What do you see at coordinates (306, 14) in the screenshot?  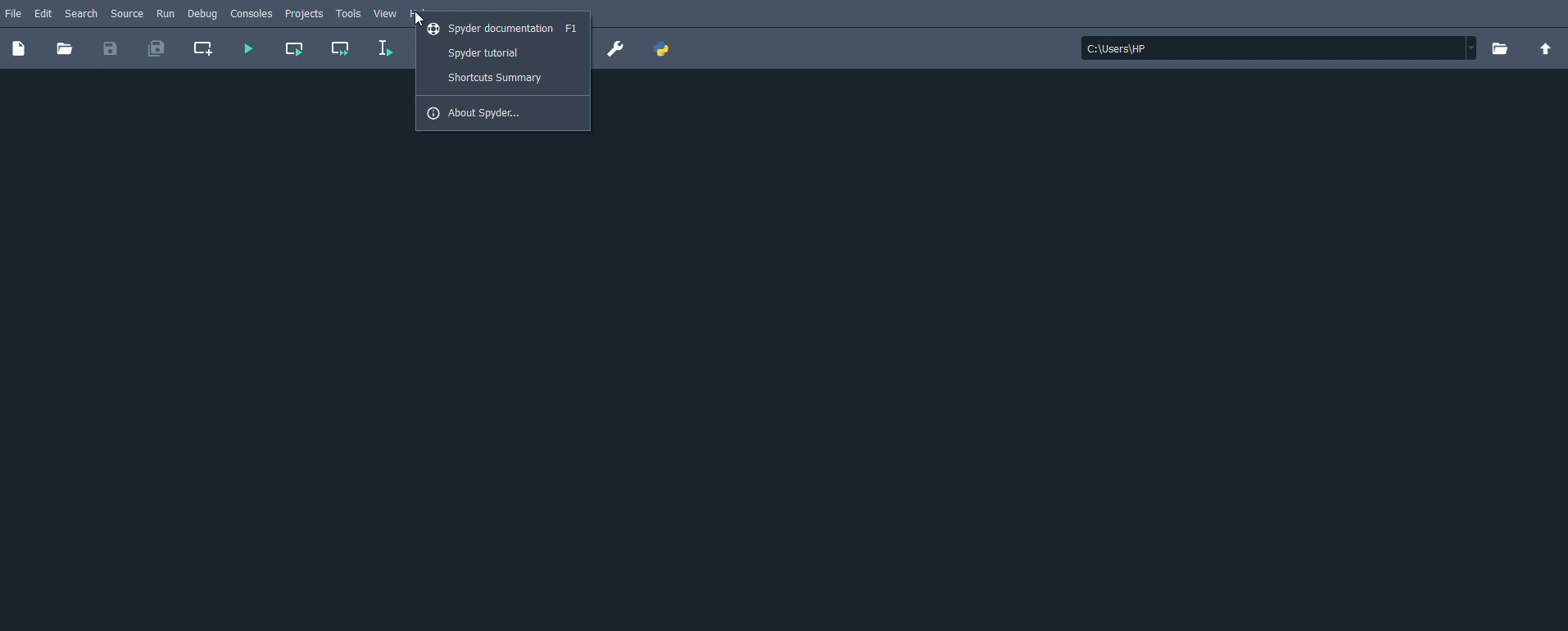 I see `Projects` at bounding box center [306, 14].